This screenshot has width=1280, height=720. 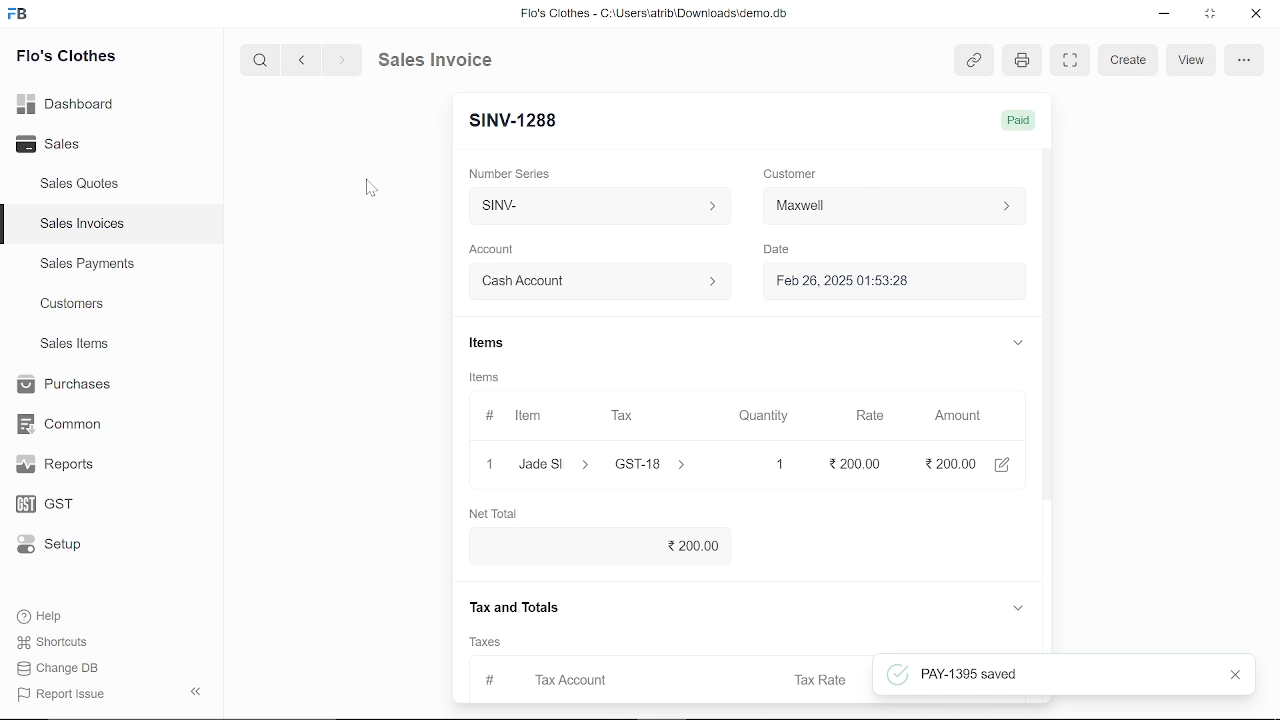 What do you see at coordinates (1017, 120) in the screenshot?
I see `Paid` at bounding box center [1017, 120].